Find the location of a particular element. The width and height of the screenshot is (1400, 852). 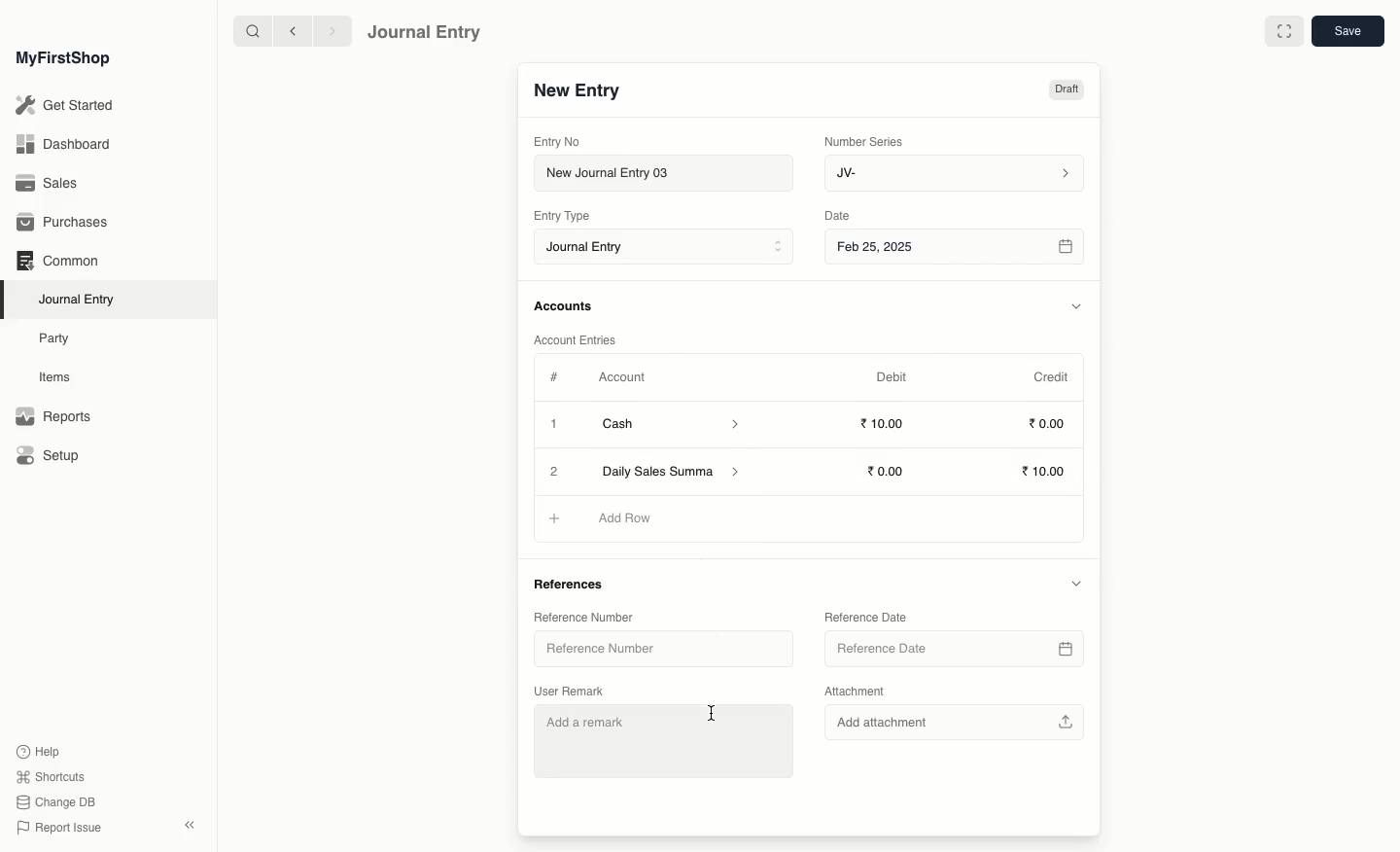

10.00 is located at coordinates (1046, 473).